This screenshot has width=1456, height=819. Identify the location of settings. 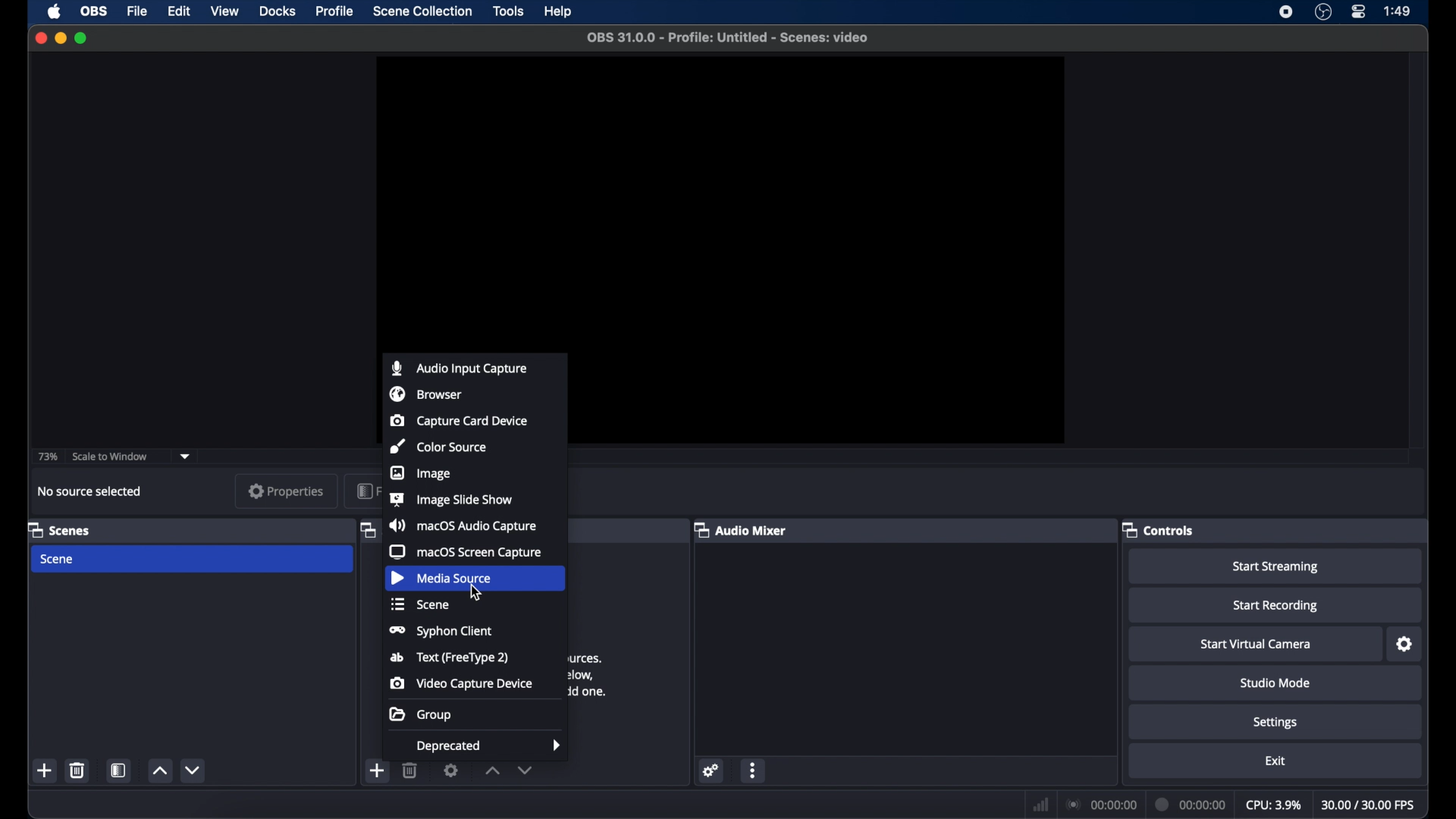
(711, 770).